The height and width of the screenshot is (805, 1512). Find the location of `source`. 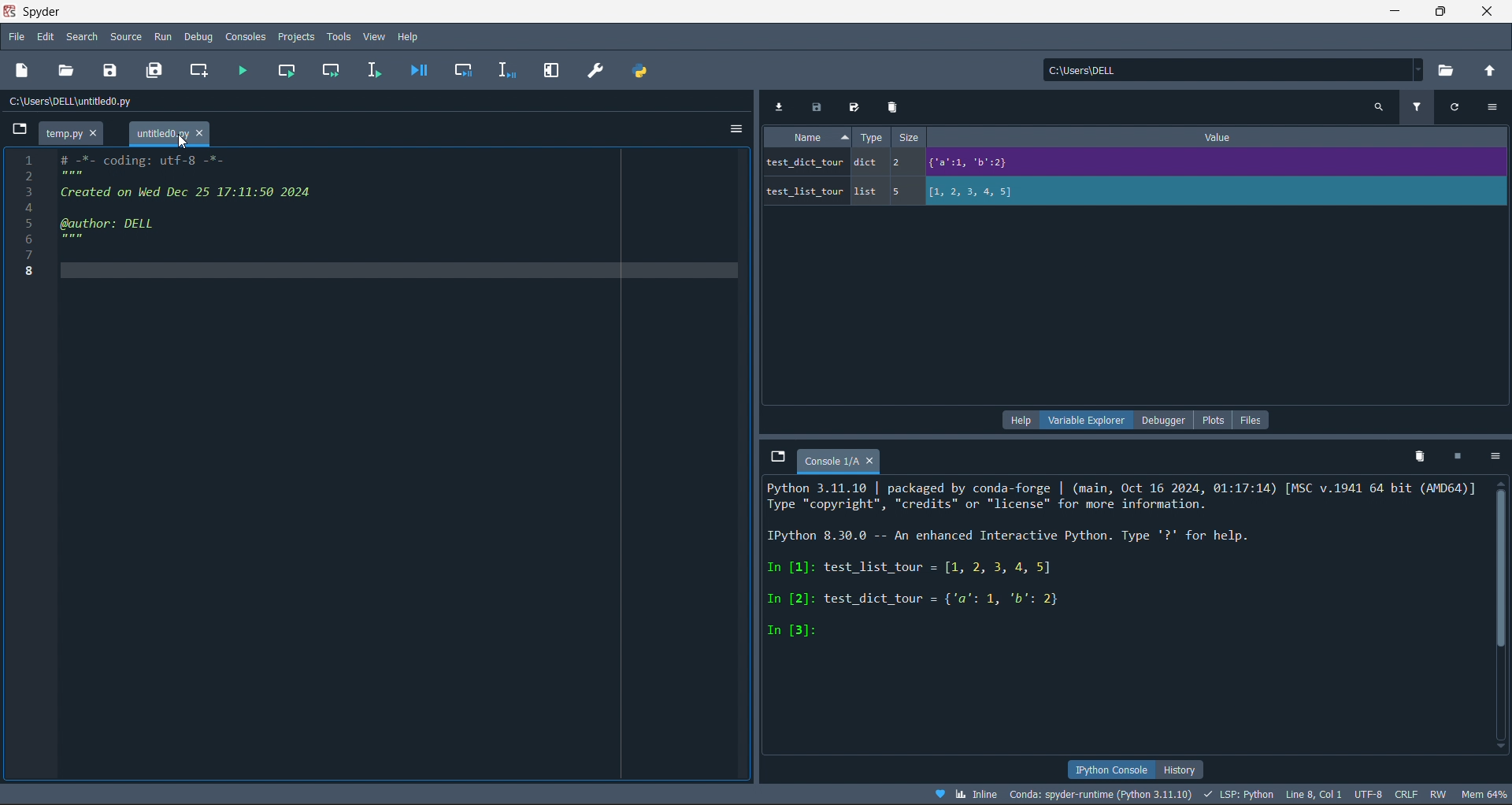

source is located at coordinates (125, 36).